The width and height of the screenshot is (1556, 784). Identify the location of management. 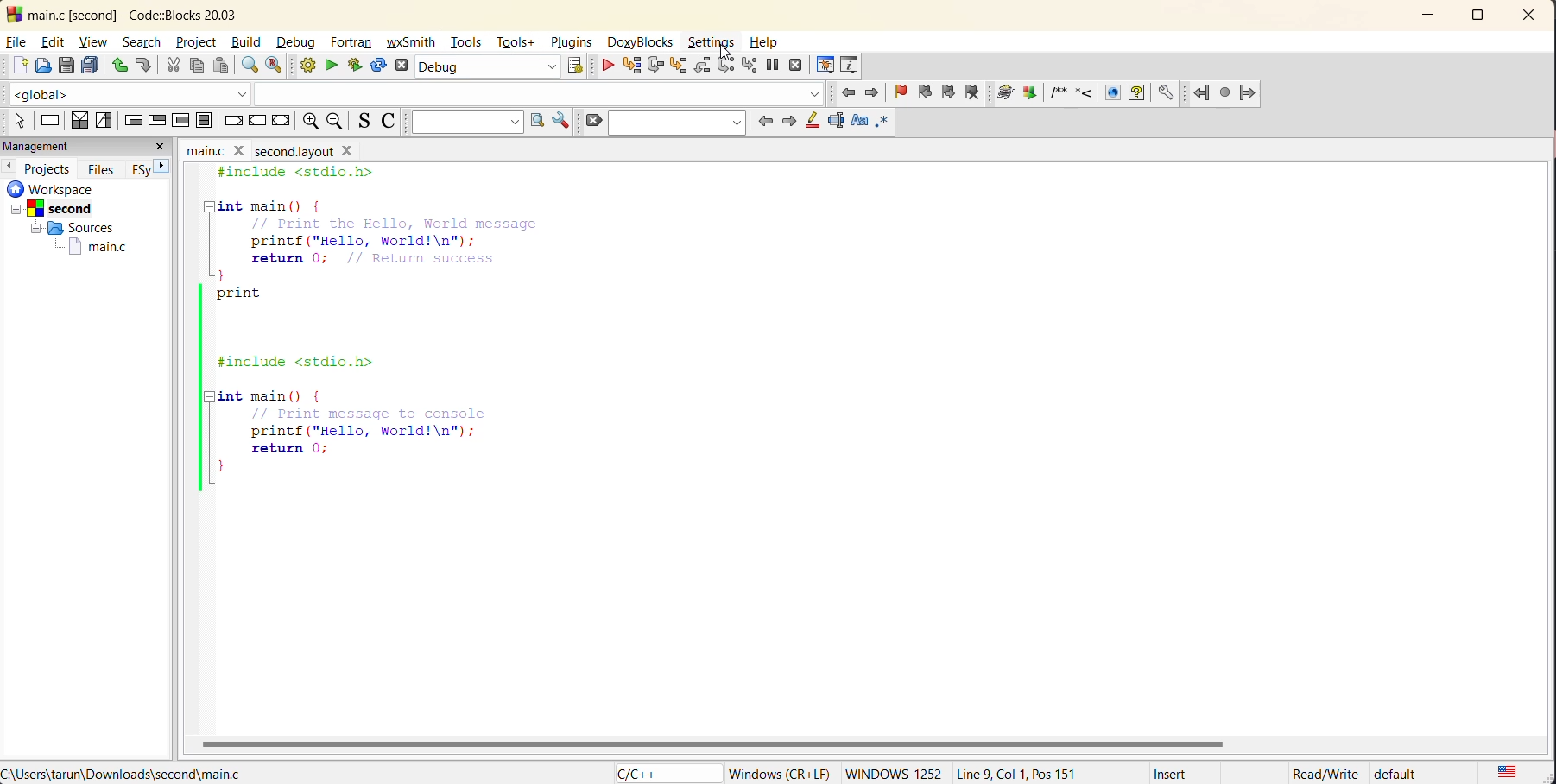
(73, 146).